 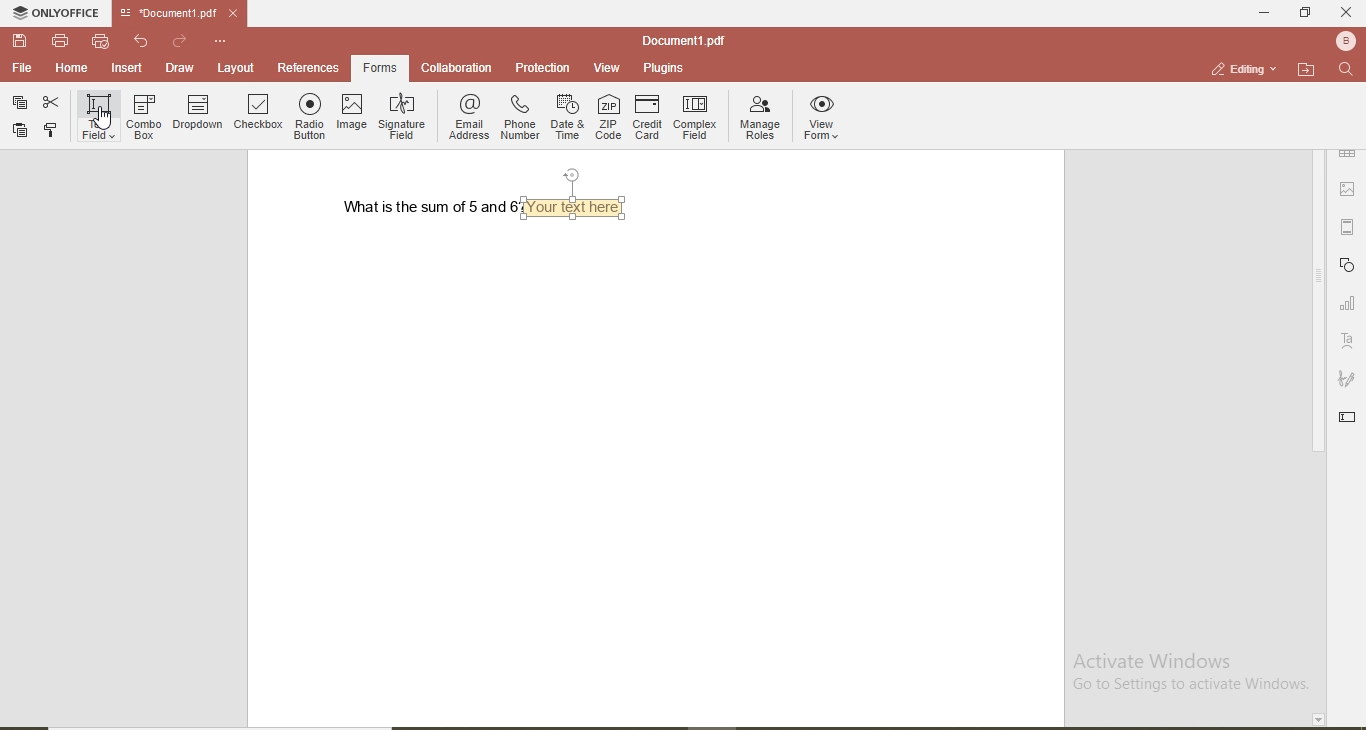 What do you see at coordinates (58, 40) in the screenshot?
I see `print` at bounding box center [58, 40].